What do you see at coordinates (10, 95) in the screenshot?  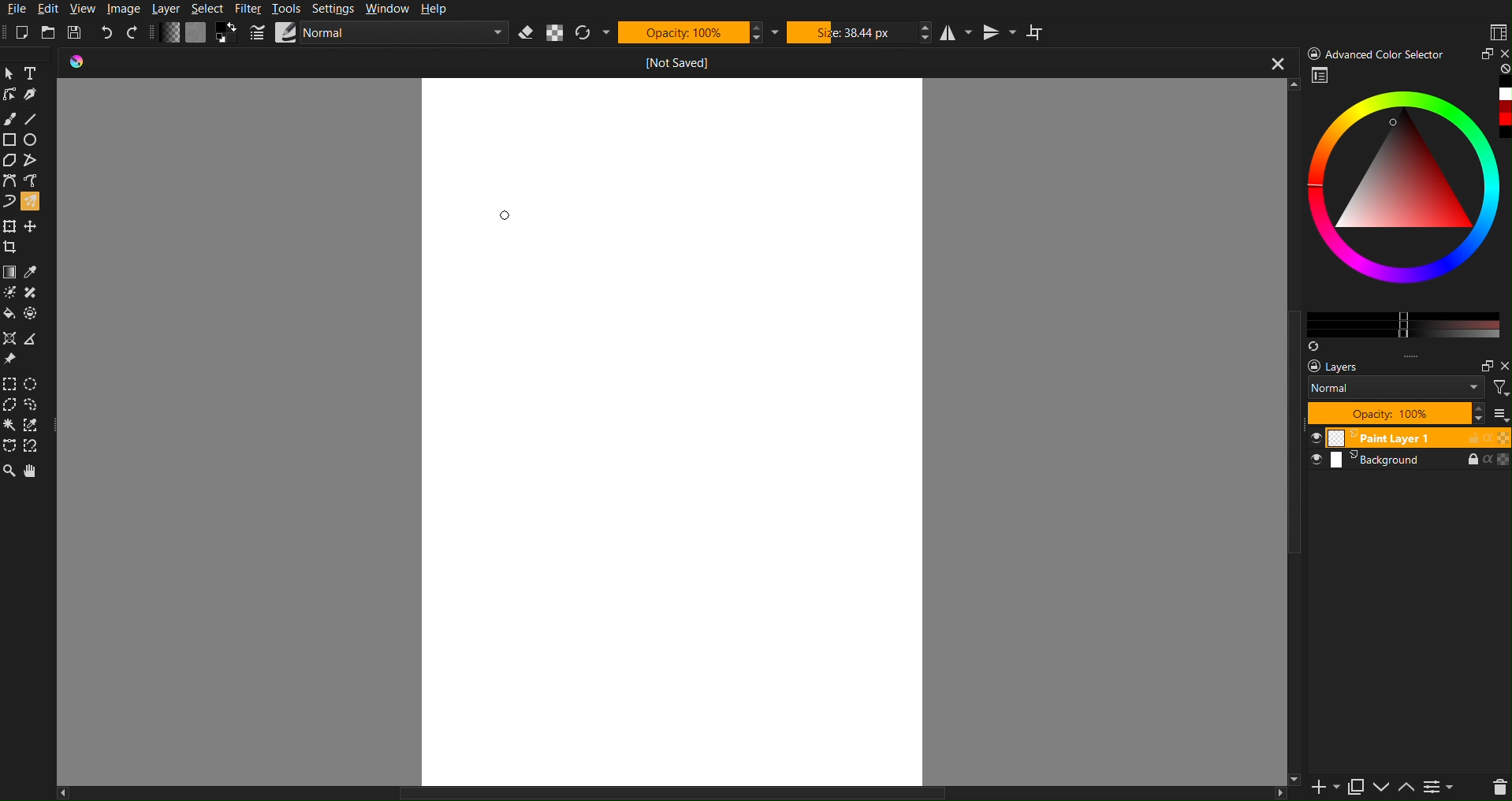 I see `Linework` at bounding box center [10, 95].